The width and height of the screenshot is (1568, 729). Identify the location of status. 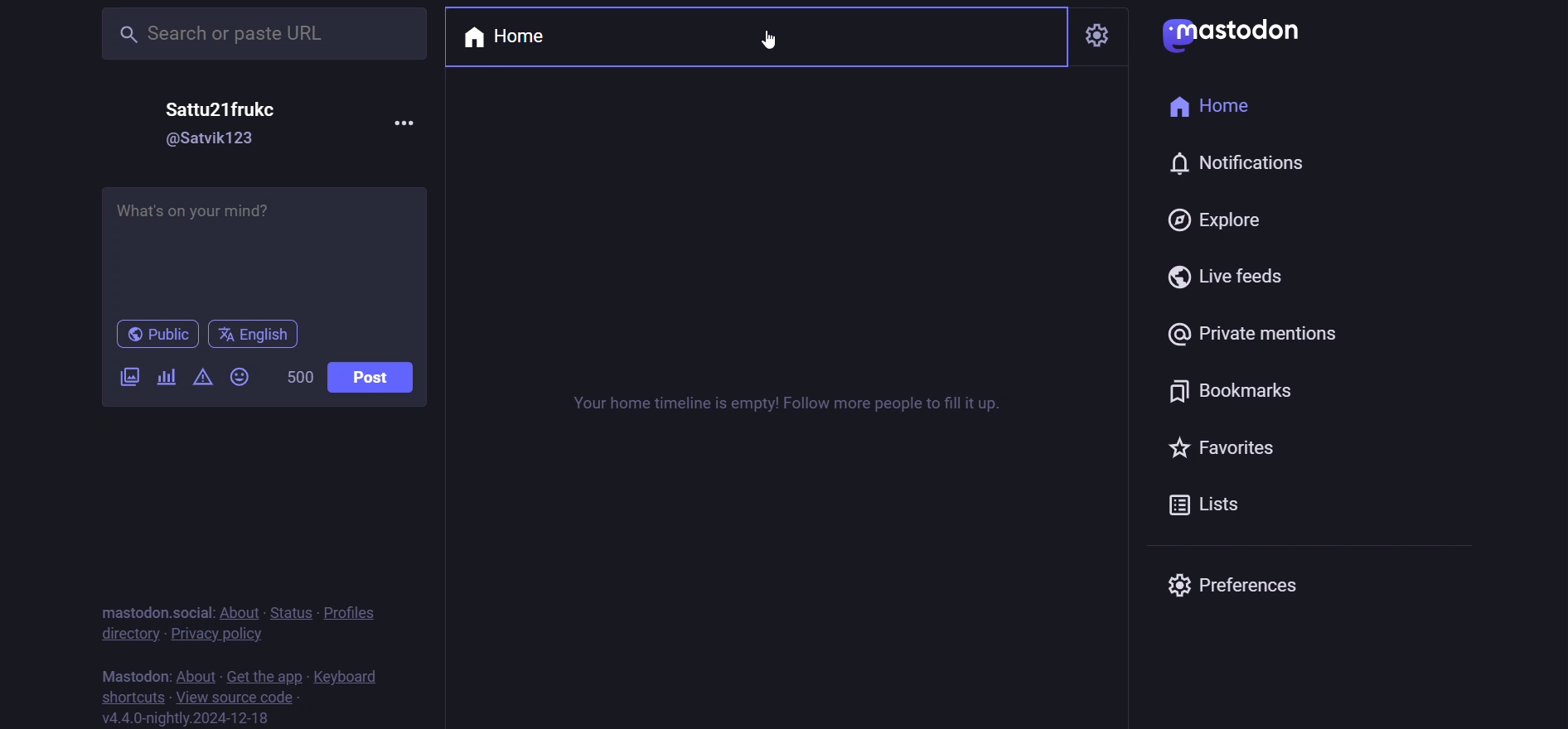
(289, 611).